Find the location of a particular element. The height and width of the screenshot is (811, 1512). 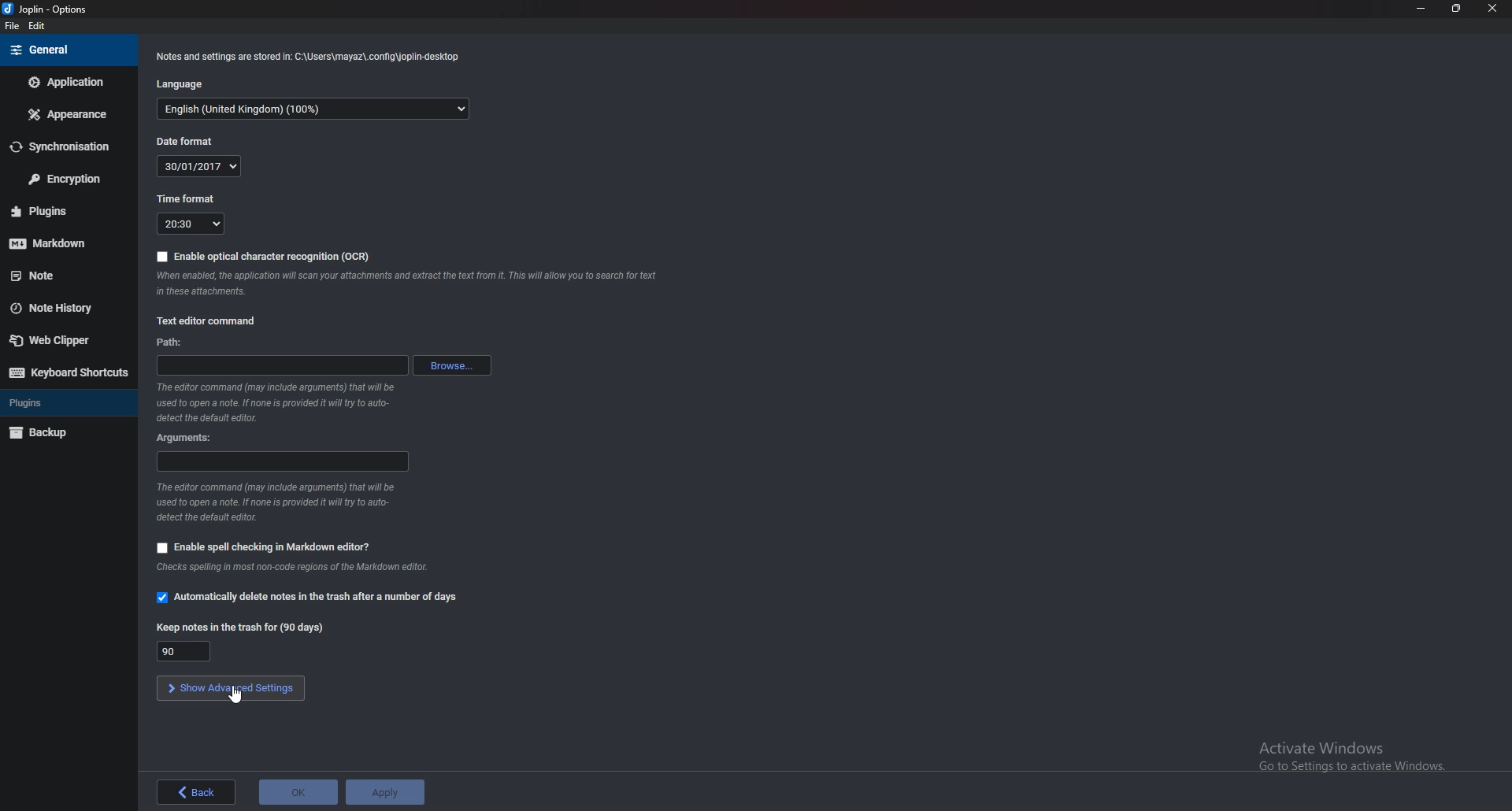

Keyboard shortcuts is located at coordinates (67, 374).